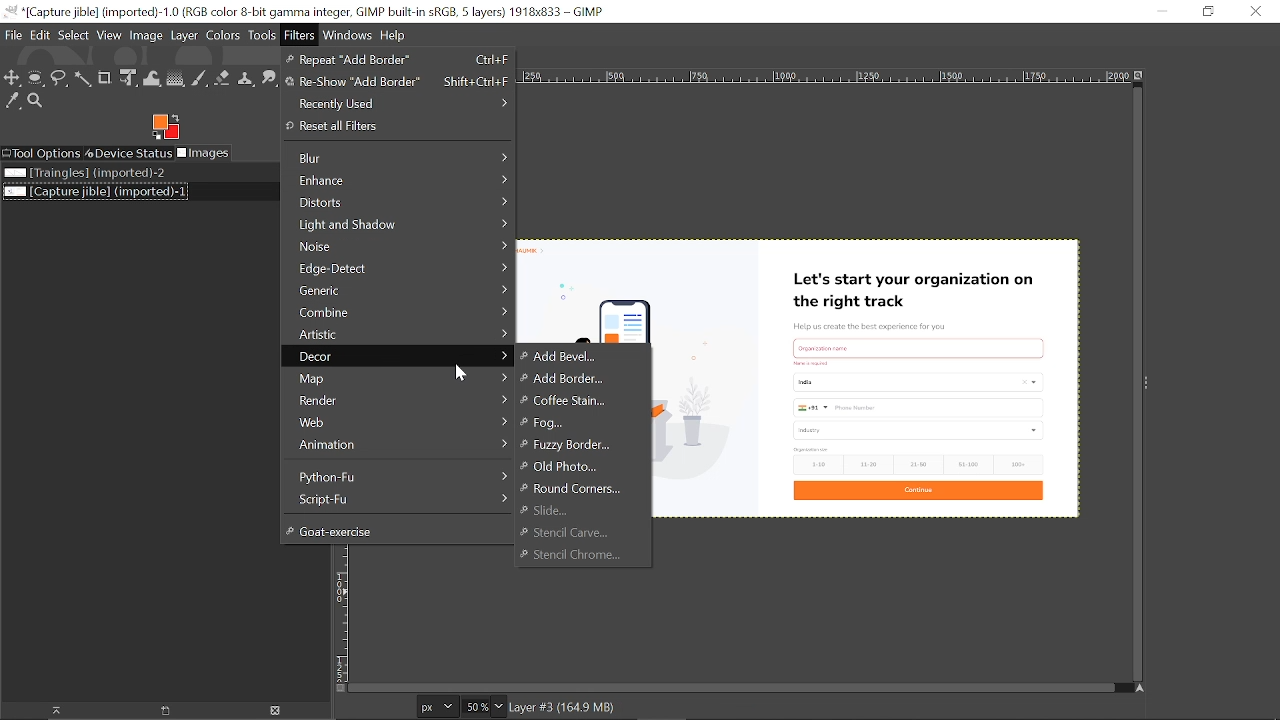 This screenshot has width=1280, height=720. What do you see at coordinates (578, 422) in the screenshot?
I see `Fog` at bounding box center [578, 422].